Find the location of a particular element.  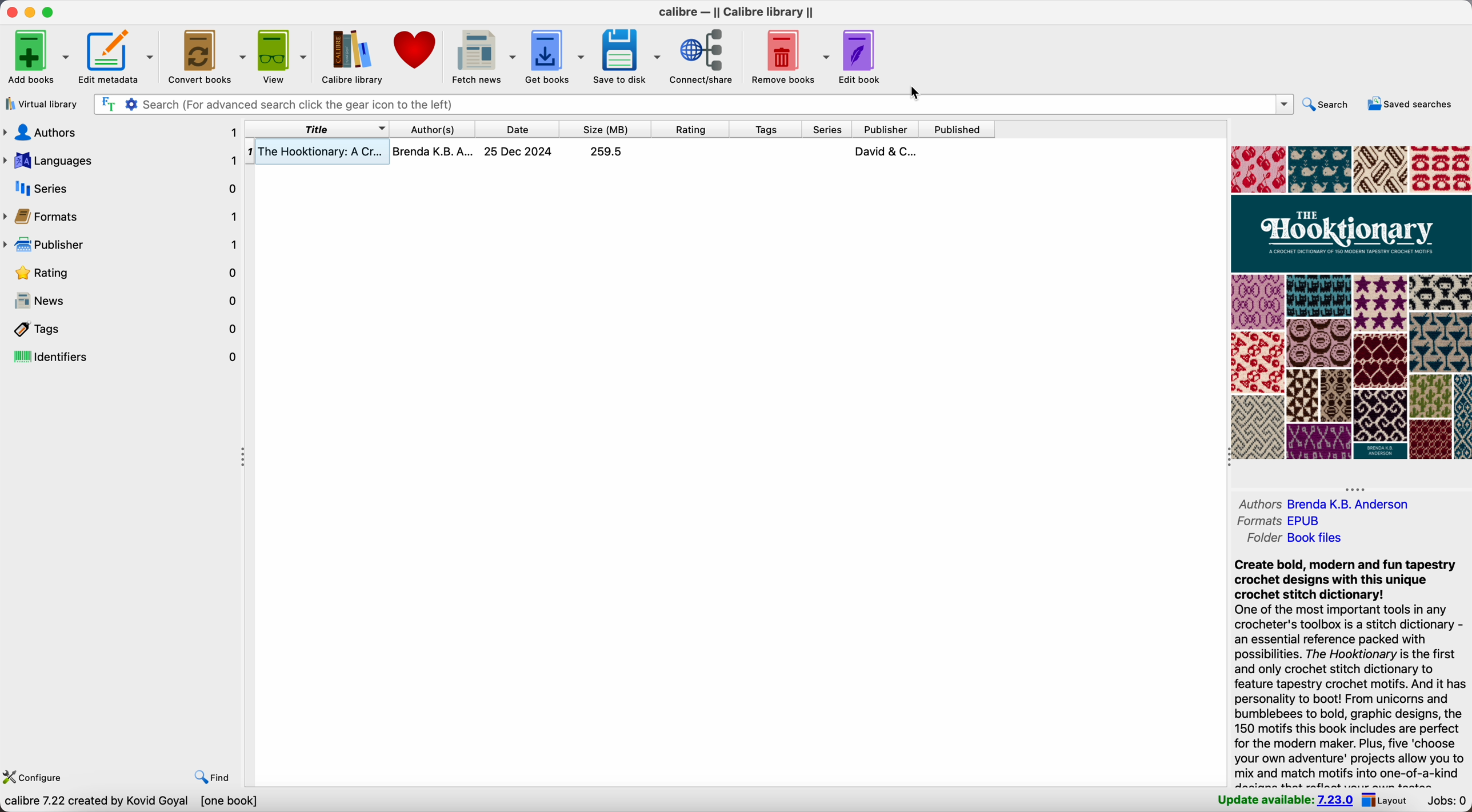

identifiers is located at coordinates (122, 355).